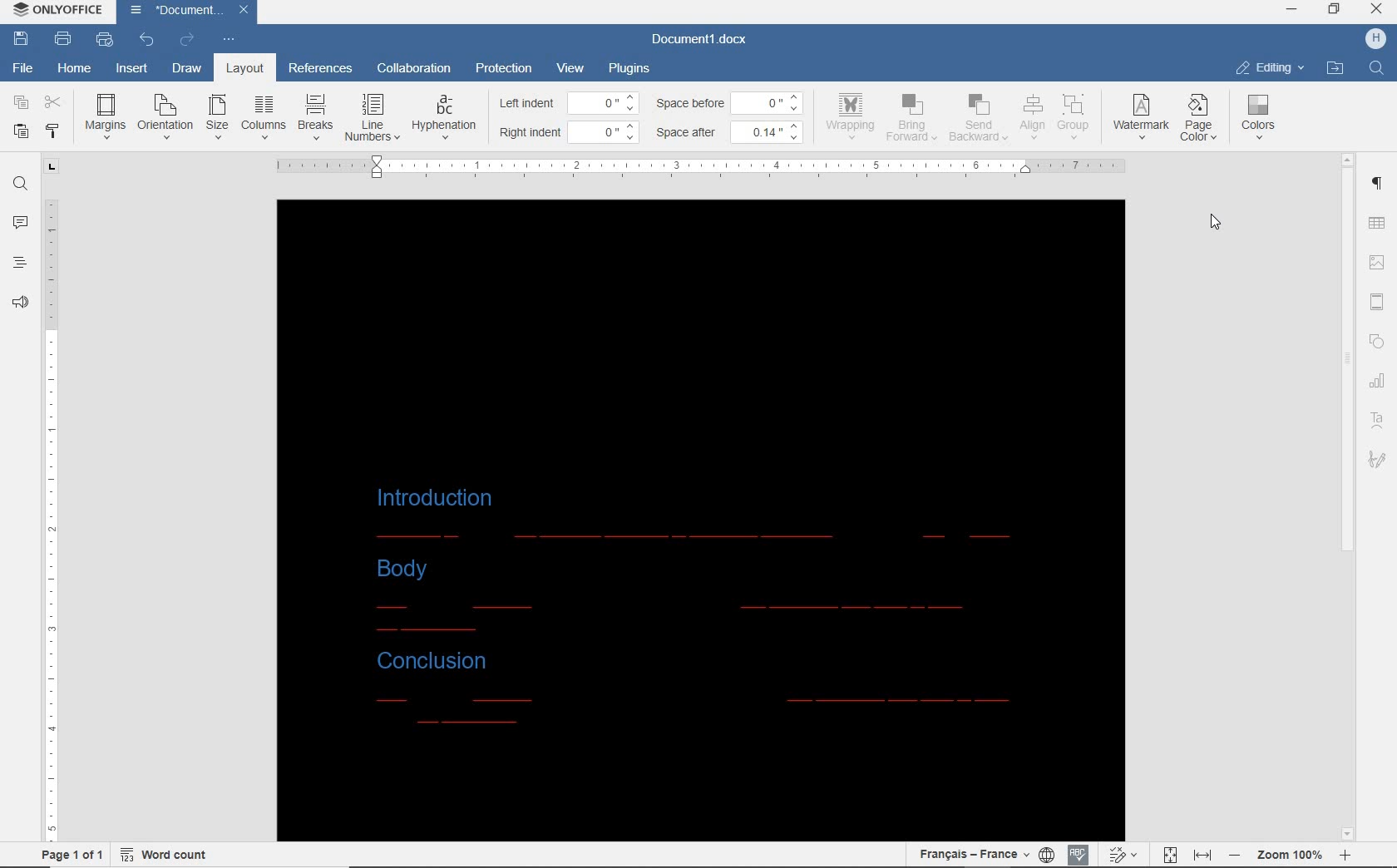 The width and height of the screenshot is (1397, 868). Describe the element at coordinates (63, 11) in the screenshot. I see `system anme` at that location.